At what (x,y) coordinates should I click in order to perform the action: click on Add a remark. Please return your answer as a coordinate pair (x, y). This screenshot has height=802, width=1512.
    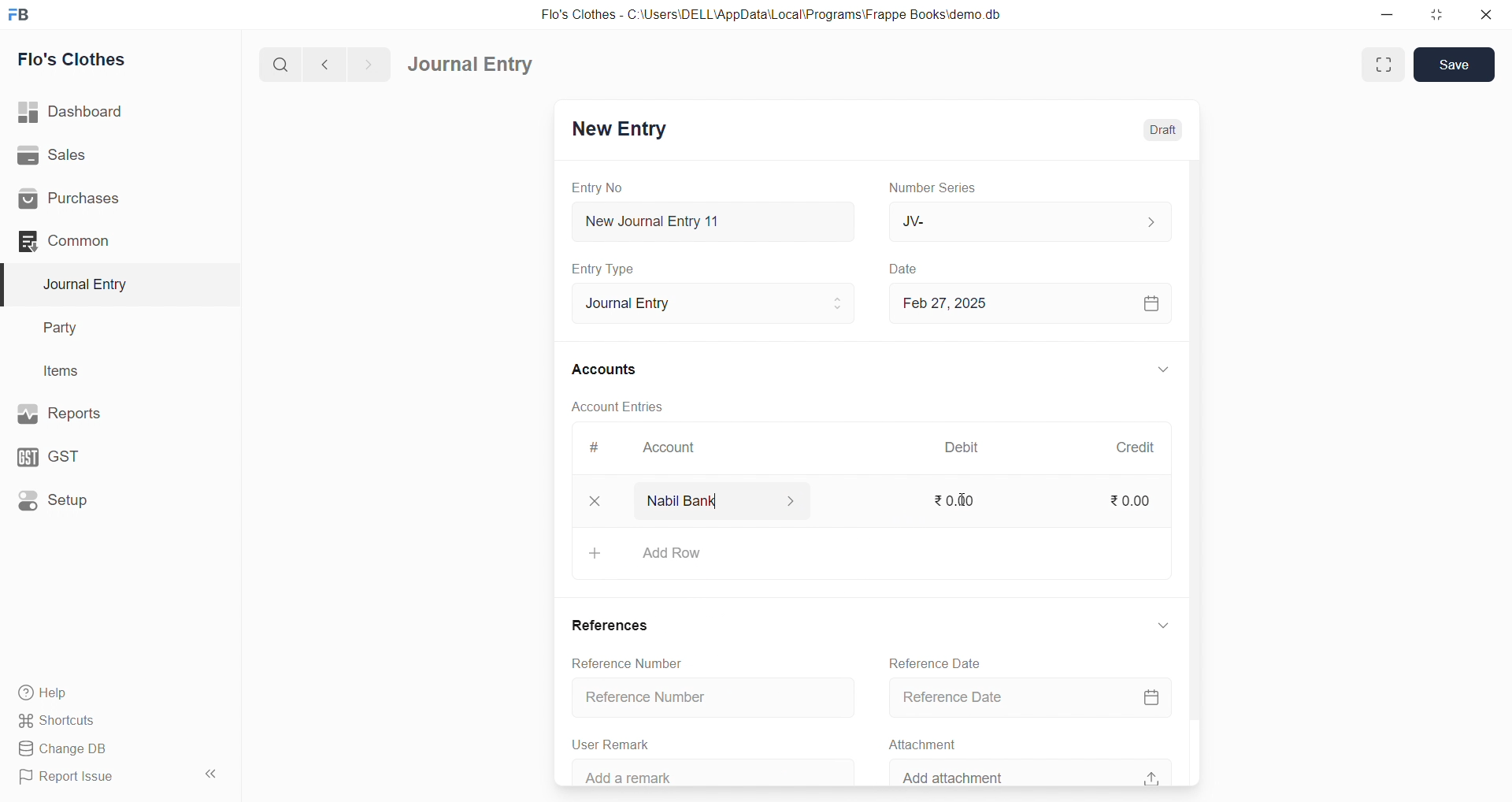
    Looking at the image, I should click on (710, 771).